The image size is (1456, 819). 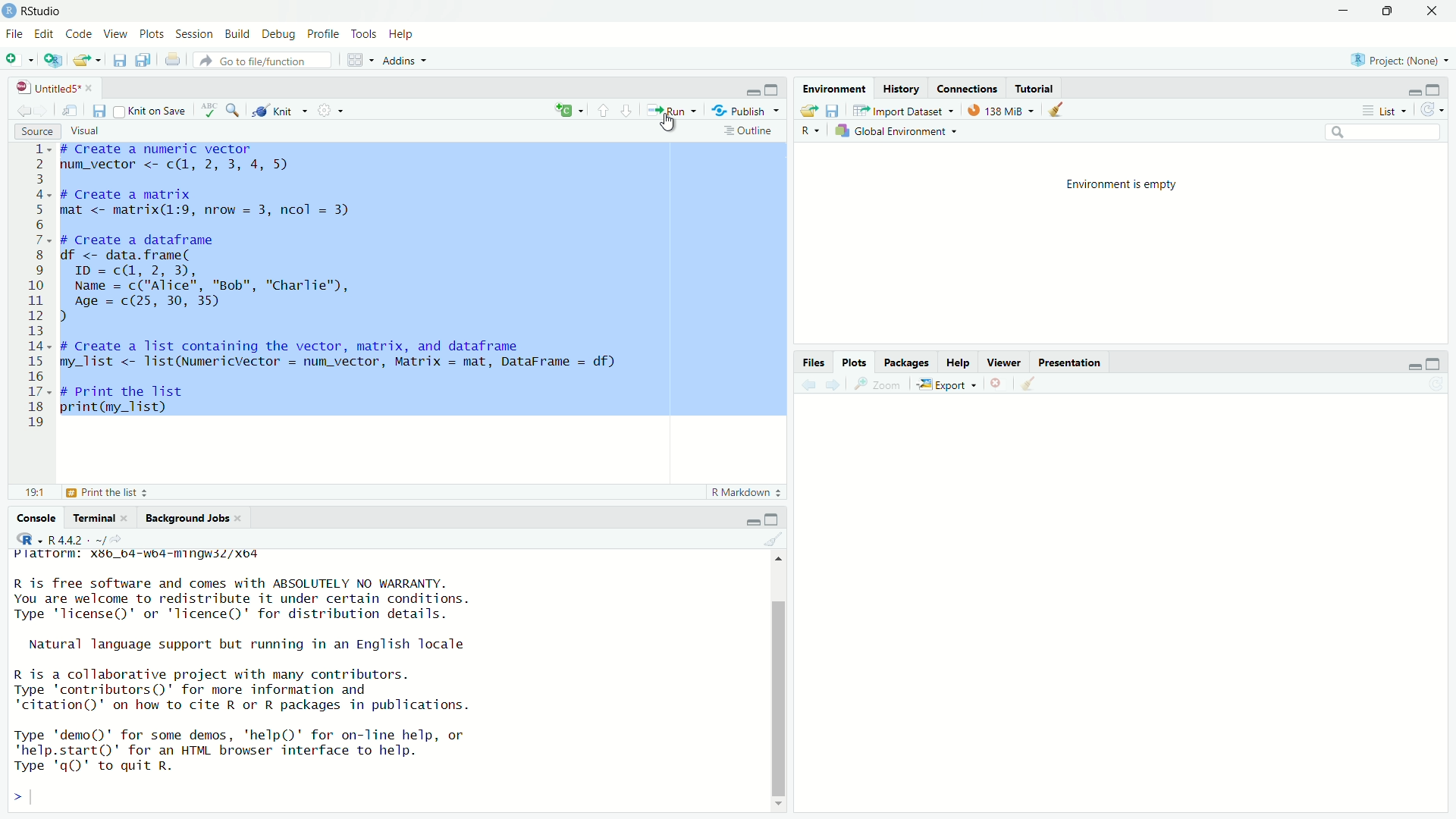 What do you see at coordinates (121, 493) in the screenshot?
I see `3 Print the list +` at bounding box center [121, 493].